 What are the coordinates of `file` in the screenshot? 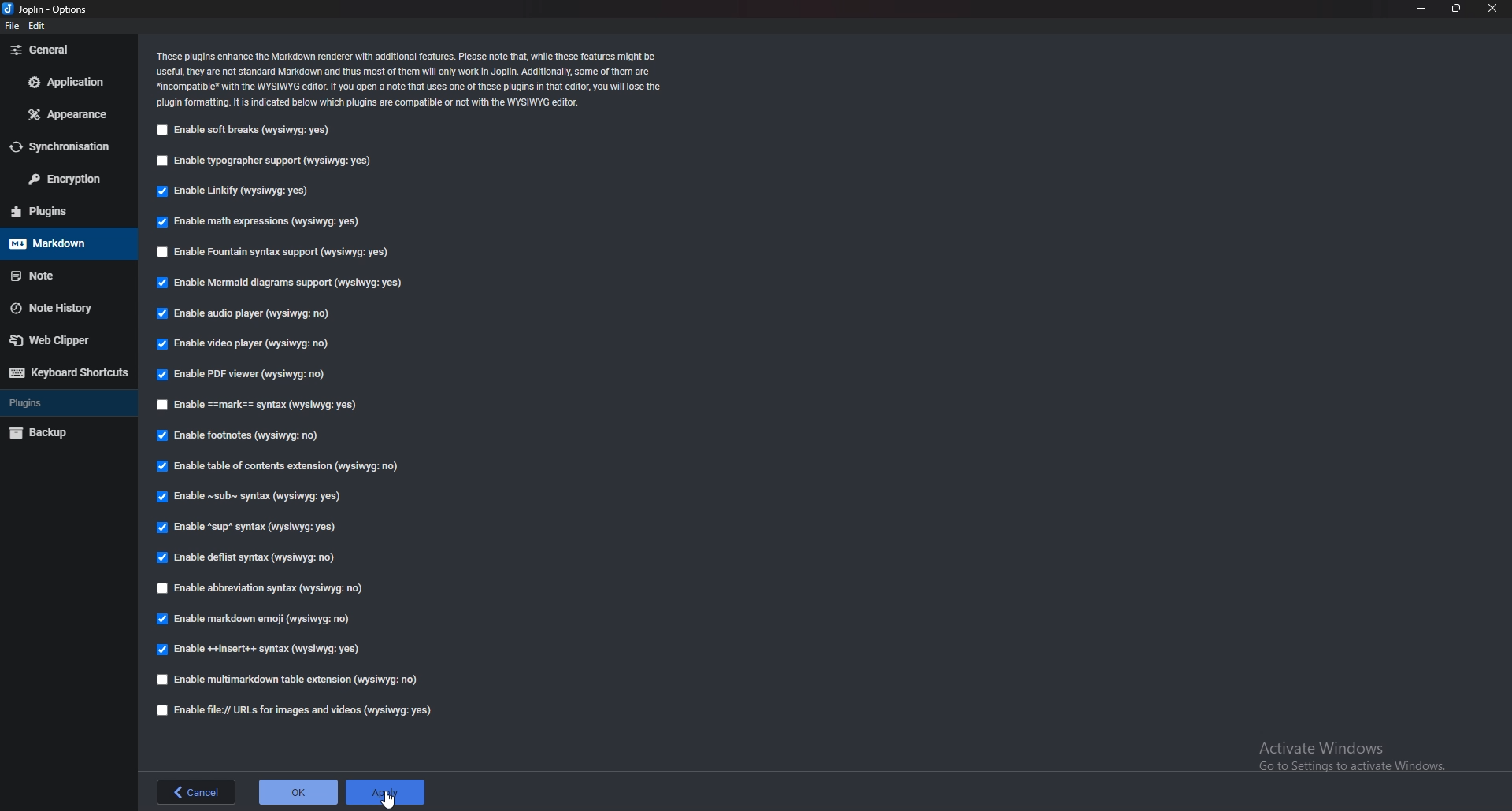 It's located at (13, 26).